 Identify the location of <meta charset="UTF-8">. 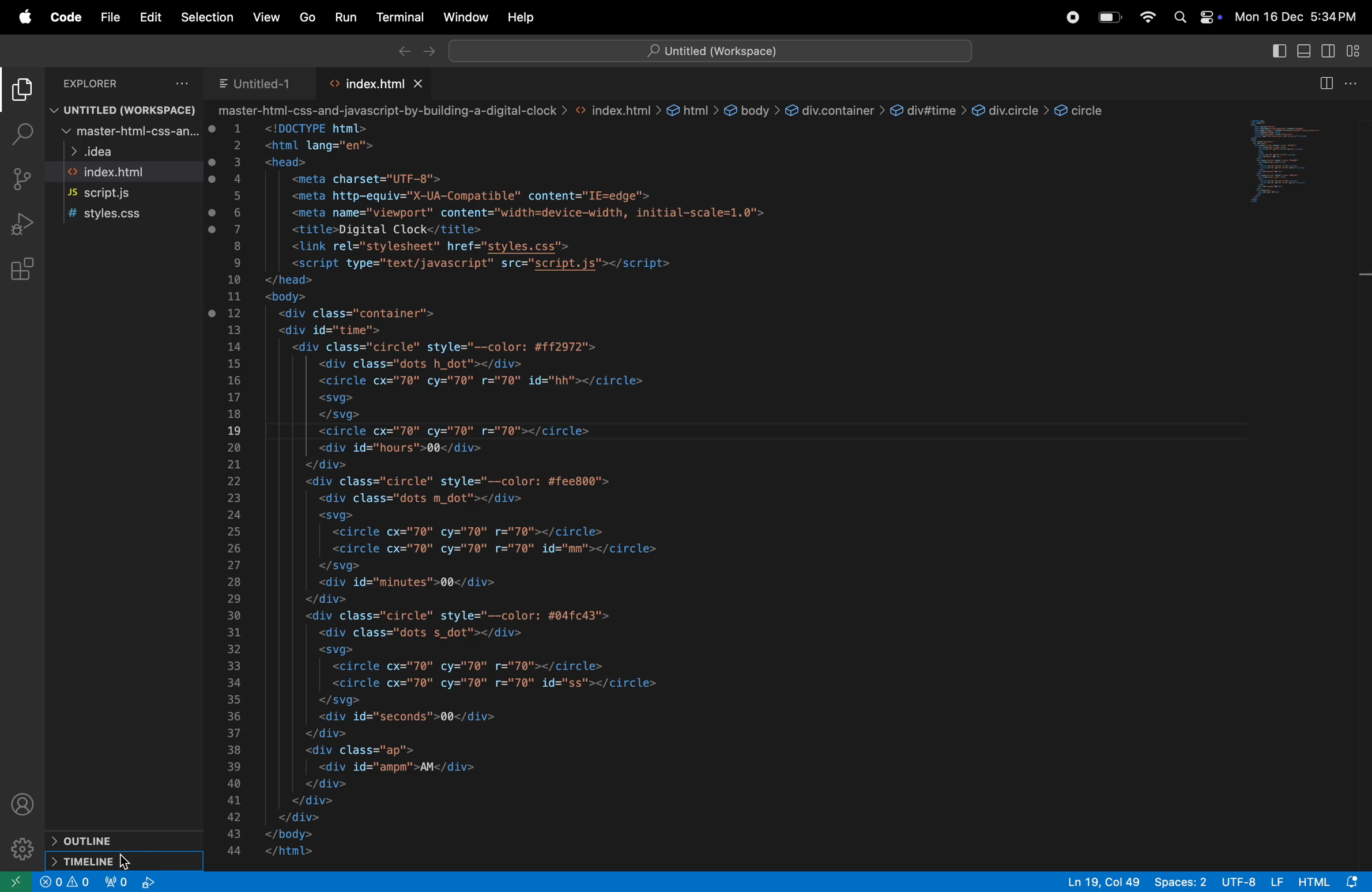
(365, 179).